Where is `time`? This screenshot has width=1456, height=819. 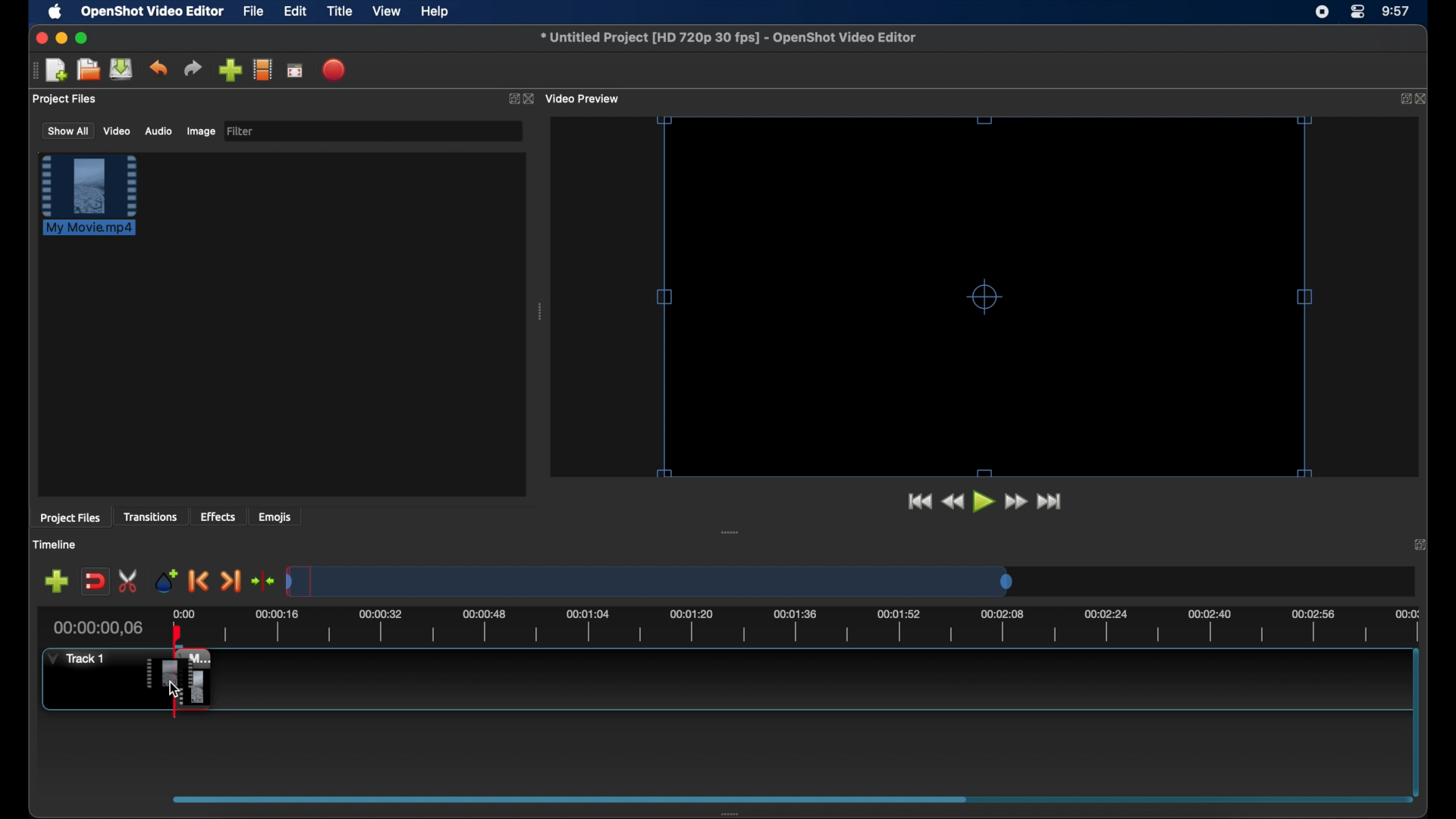
time is located at coordinates (1397, 12).